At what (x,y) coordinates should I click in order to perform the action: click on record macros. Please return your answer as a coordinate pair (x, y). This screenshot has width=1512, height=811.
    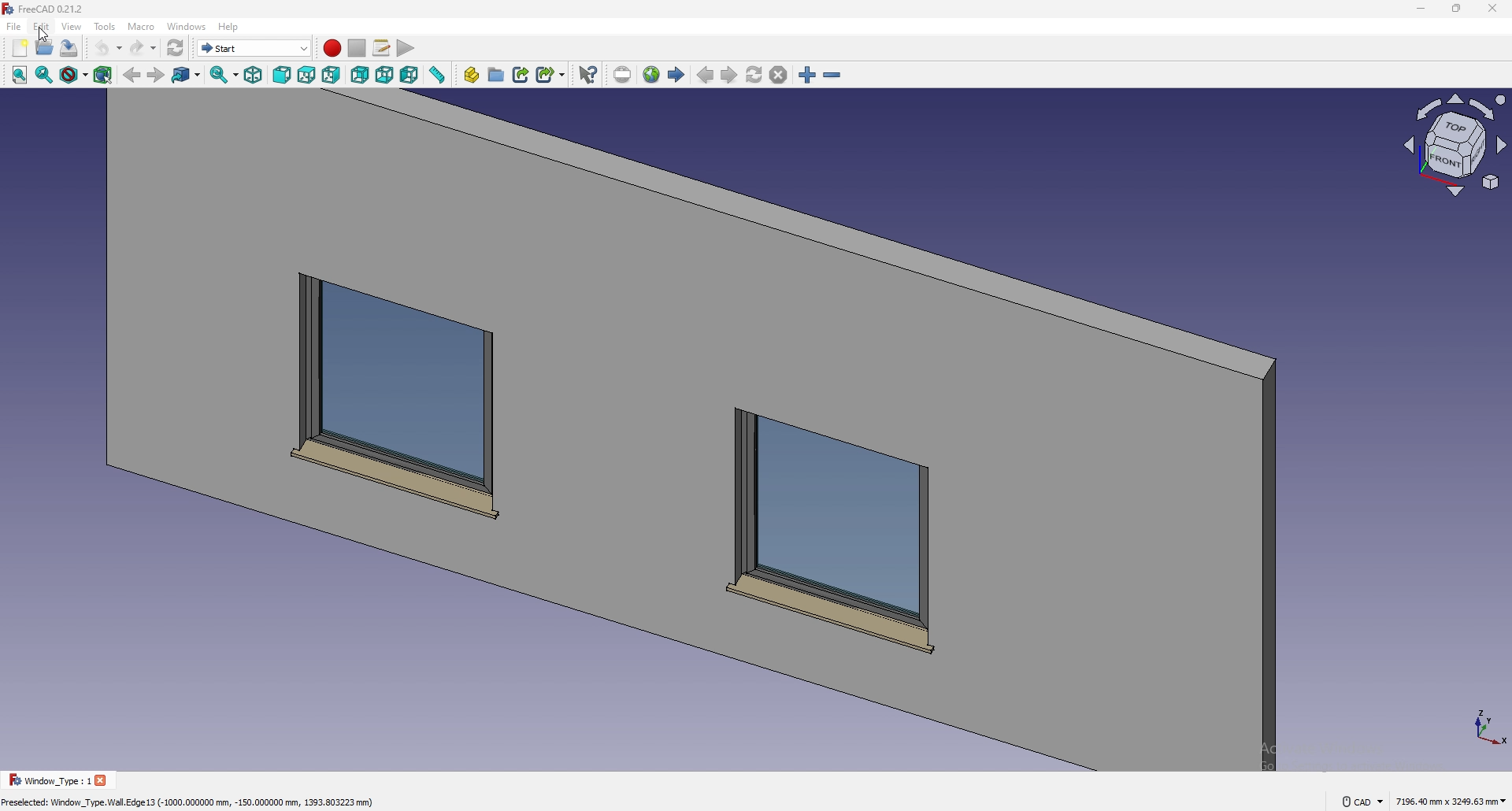
    Looking at the image, I should click on (332, 48).